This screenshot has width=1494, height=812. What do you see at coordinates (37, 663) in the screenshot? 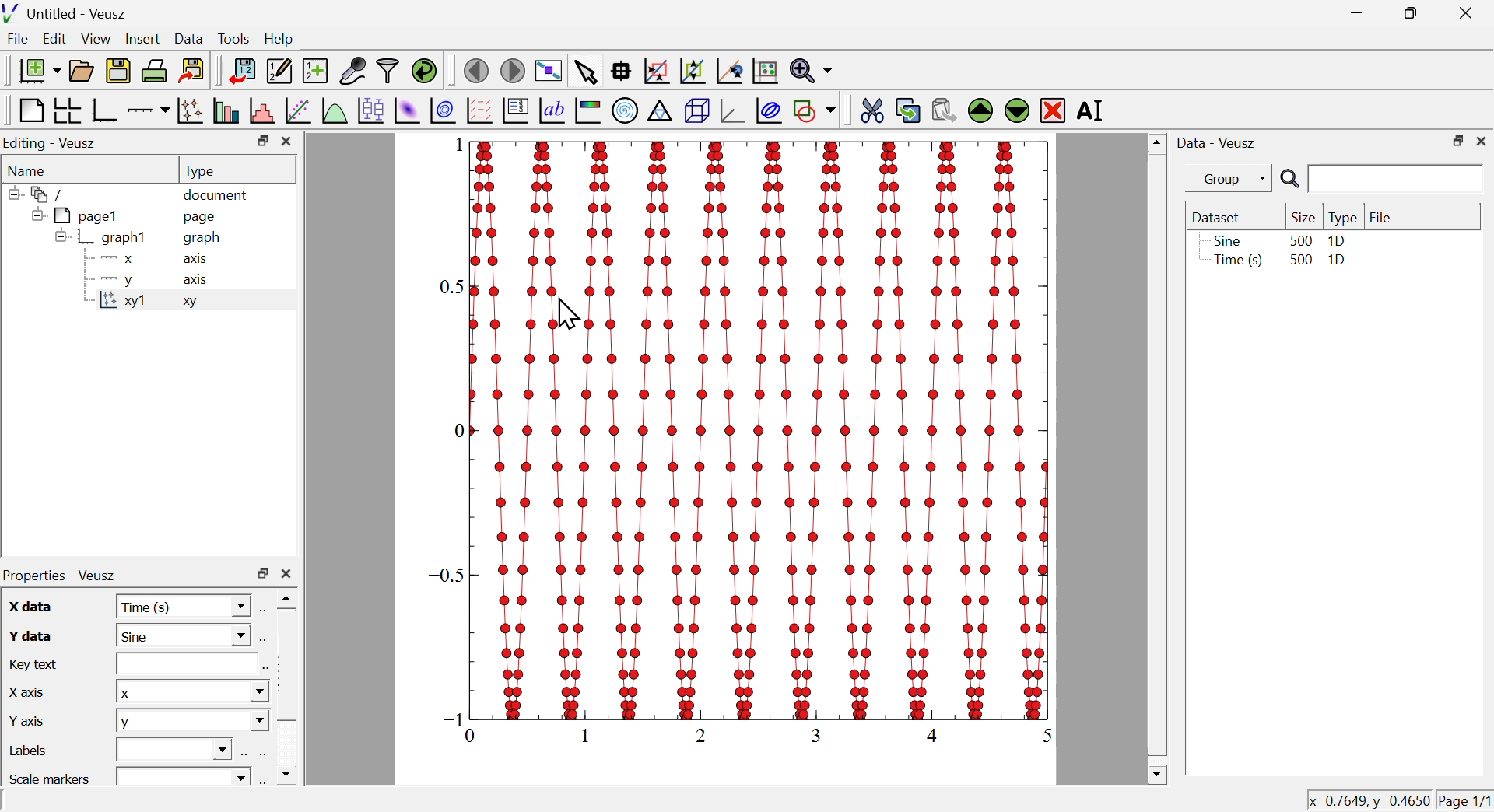
I see `key text` at bounding box center [37, 663].